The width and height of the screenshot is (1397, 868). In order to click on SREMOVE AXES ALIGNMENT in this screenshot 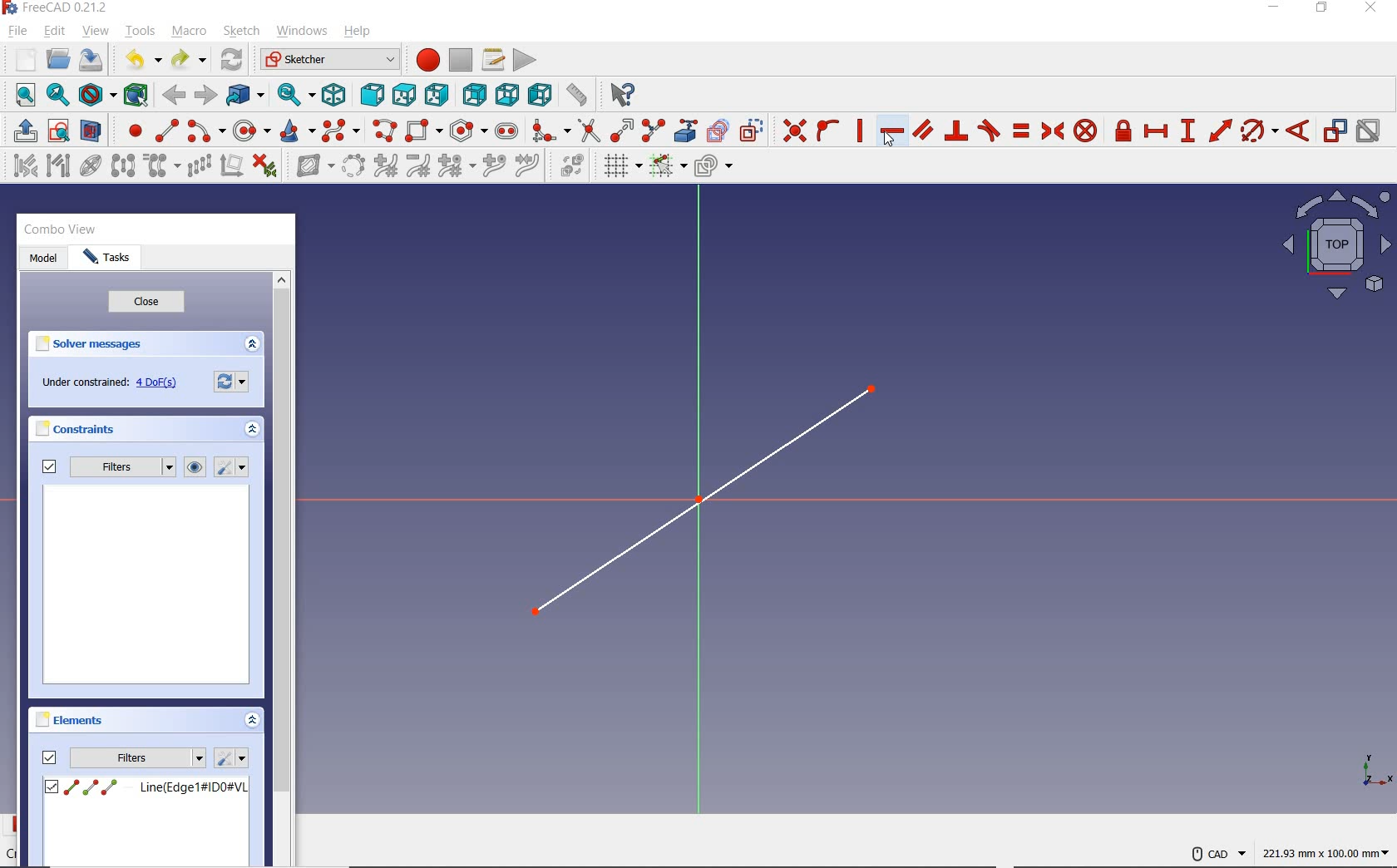, I will do `click(231, 167)`.